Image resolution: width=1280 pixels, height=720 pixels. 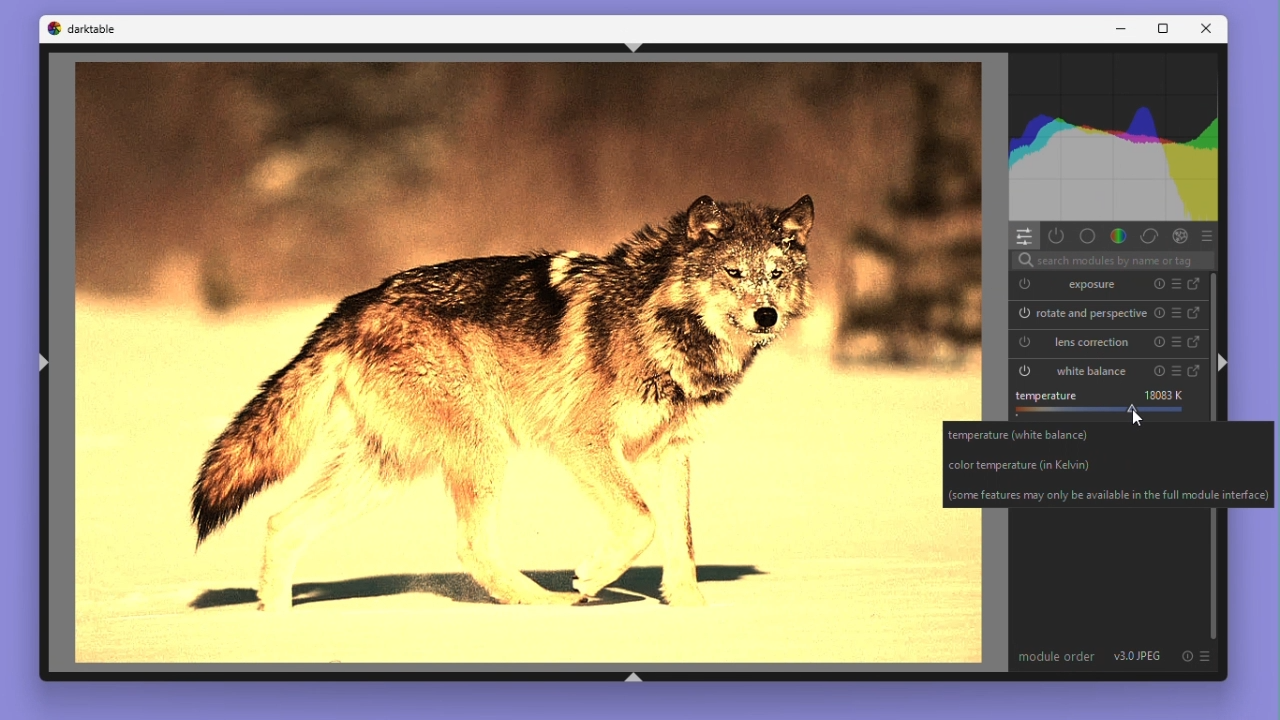 What do you see at coordinates (1140, 415) in the screenshot?
I see `cursor` at bounding box center [1140, 415].